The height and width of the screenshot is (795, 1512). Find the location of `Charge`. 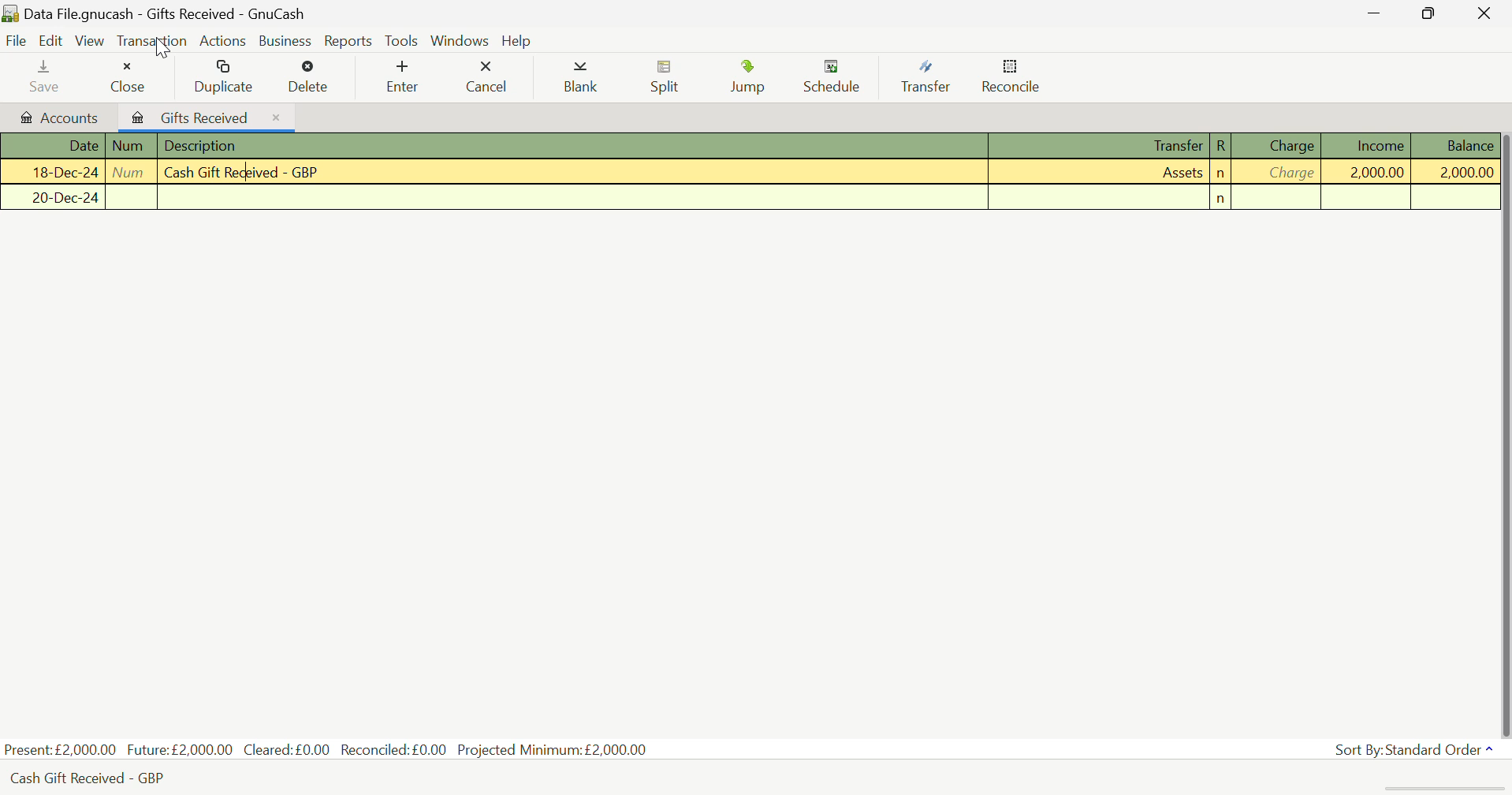

Charge is located at coordinates (1279, 174).